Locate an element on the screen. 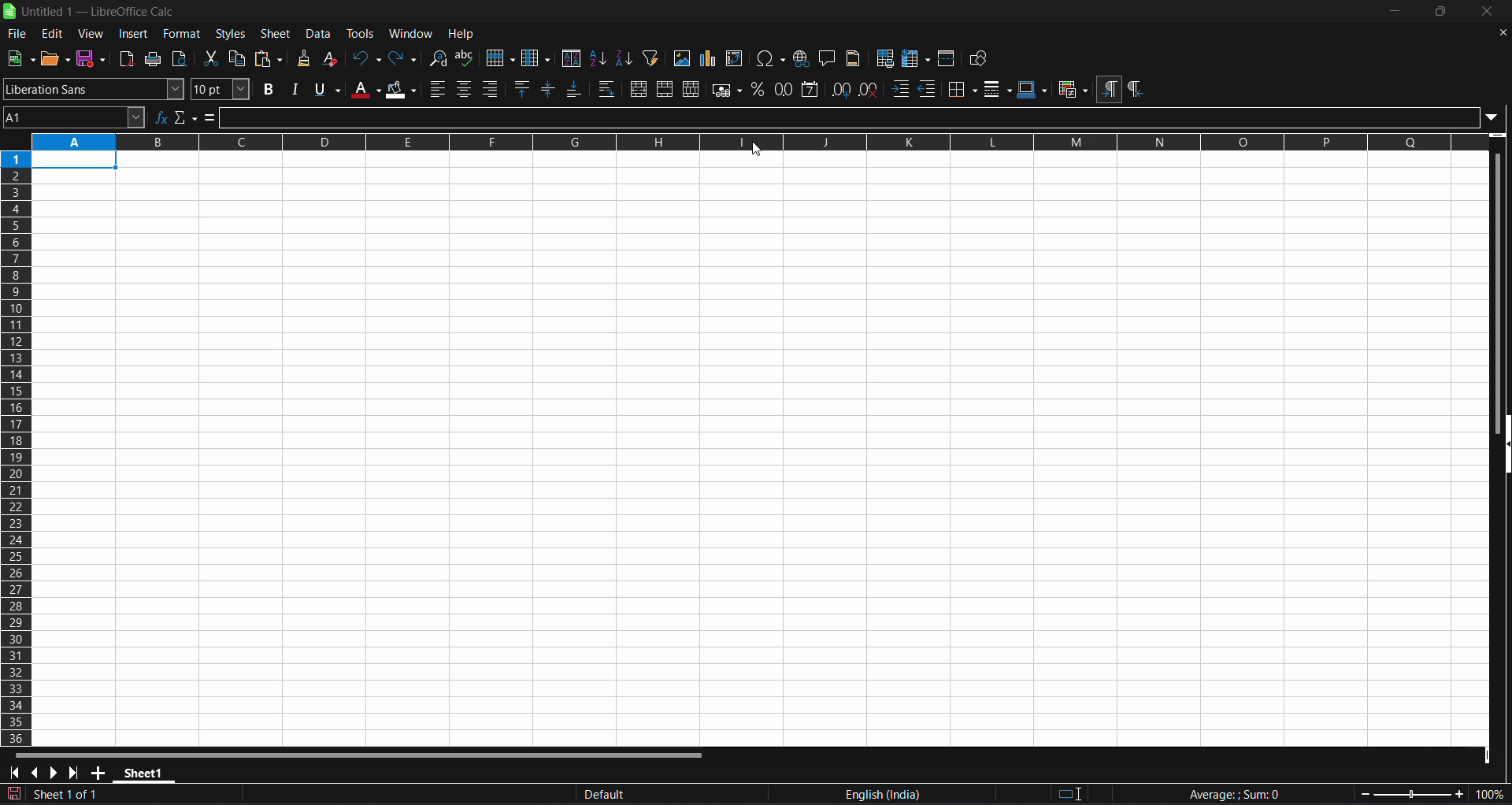 This screenshot has height=805, width=1512. add new sheet is located at coordinates (104, 773).